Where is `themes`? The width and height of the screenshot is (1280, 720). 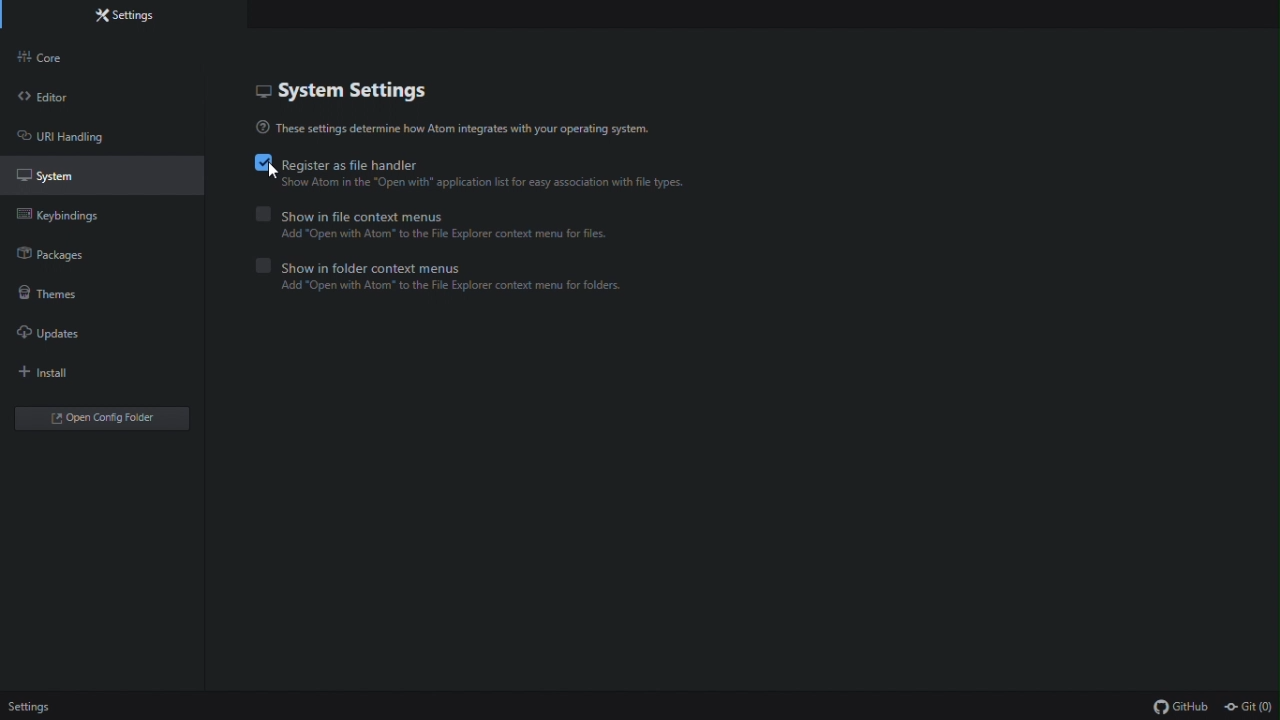 themes is located at coordinates (55, 297).